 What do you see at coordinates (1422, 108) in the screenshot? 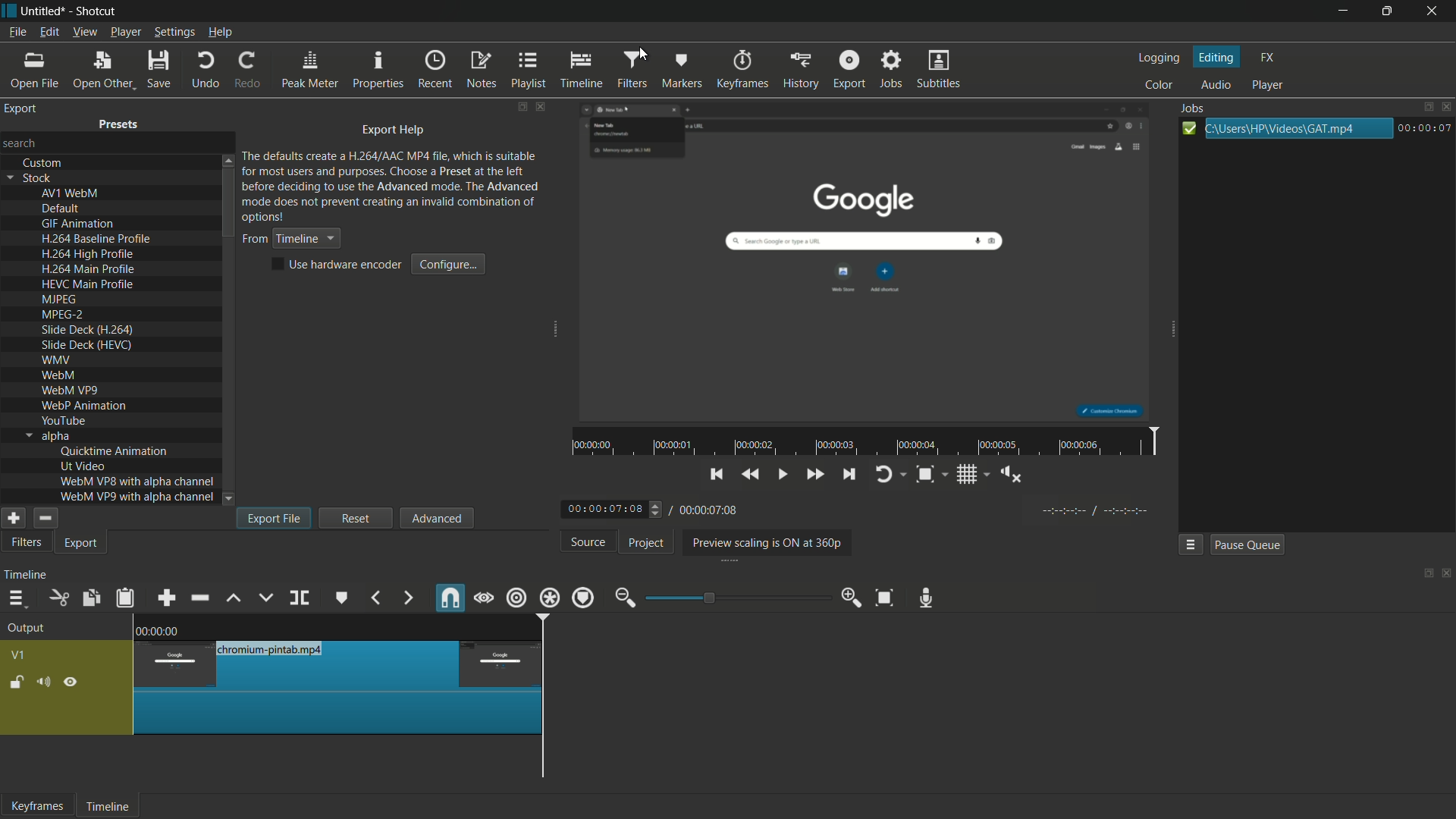
I see `change layout` at bounding box center [1422, 108].